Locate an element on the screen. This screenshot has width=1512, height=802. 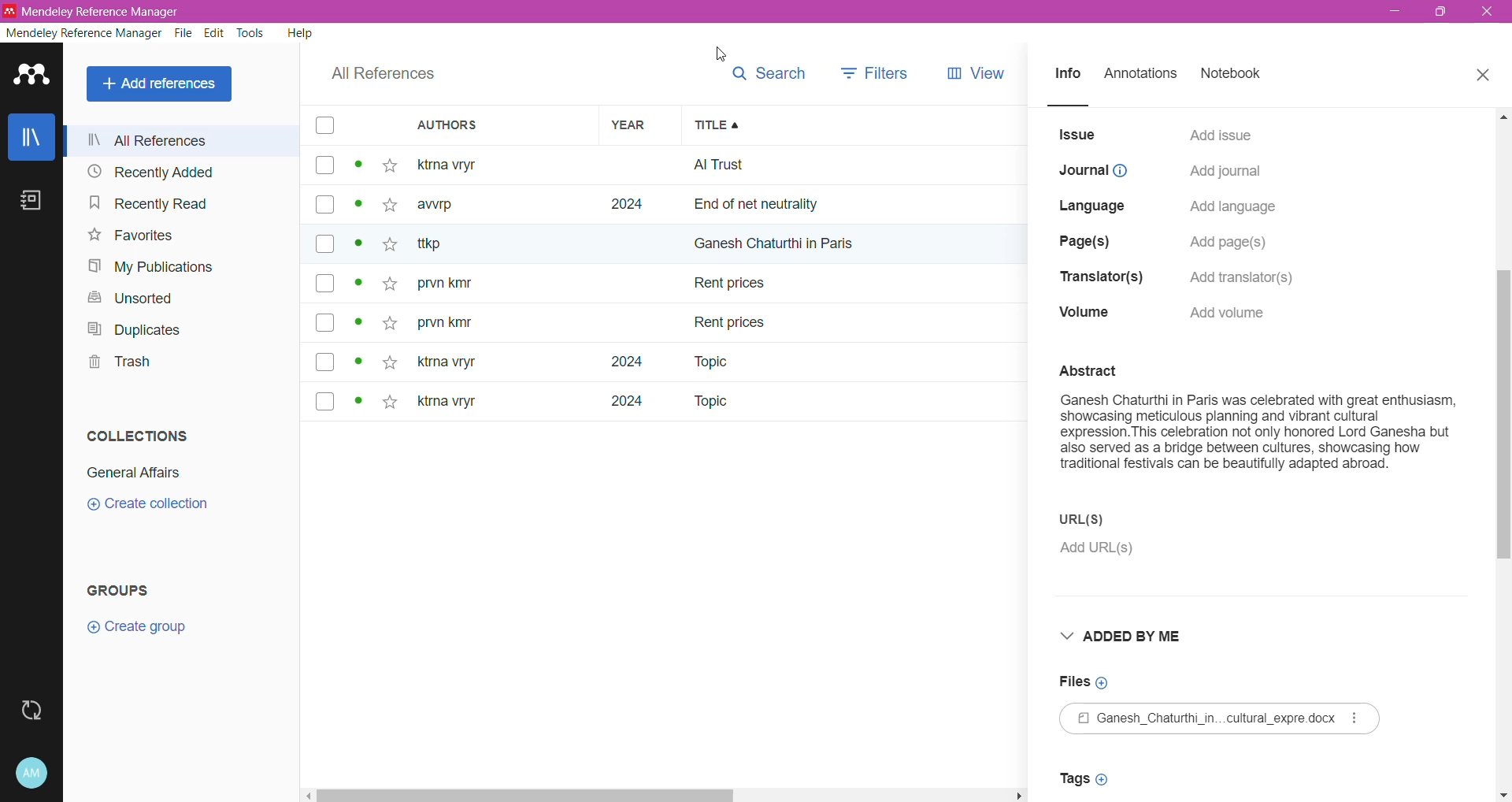
Click to add translators is located at coordinates (1251, 274).